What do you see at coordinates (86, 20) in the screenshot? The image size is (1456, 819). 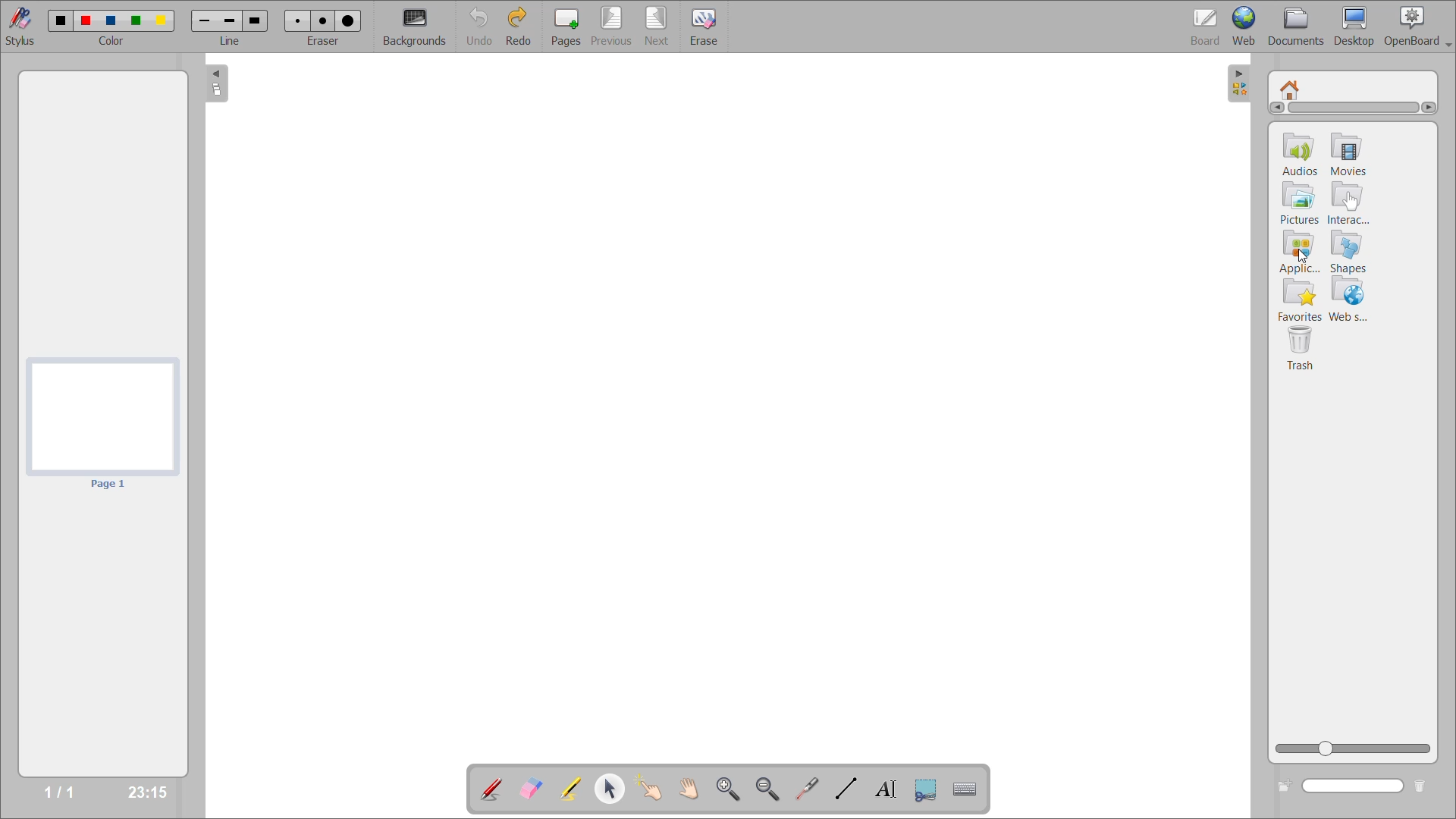 I see `color 2` at bounding box center [86, 20].